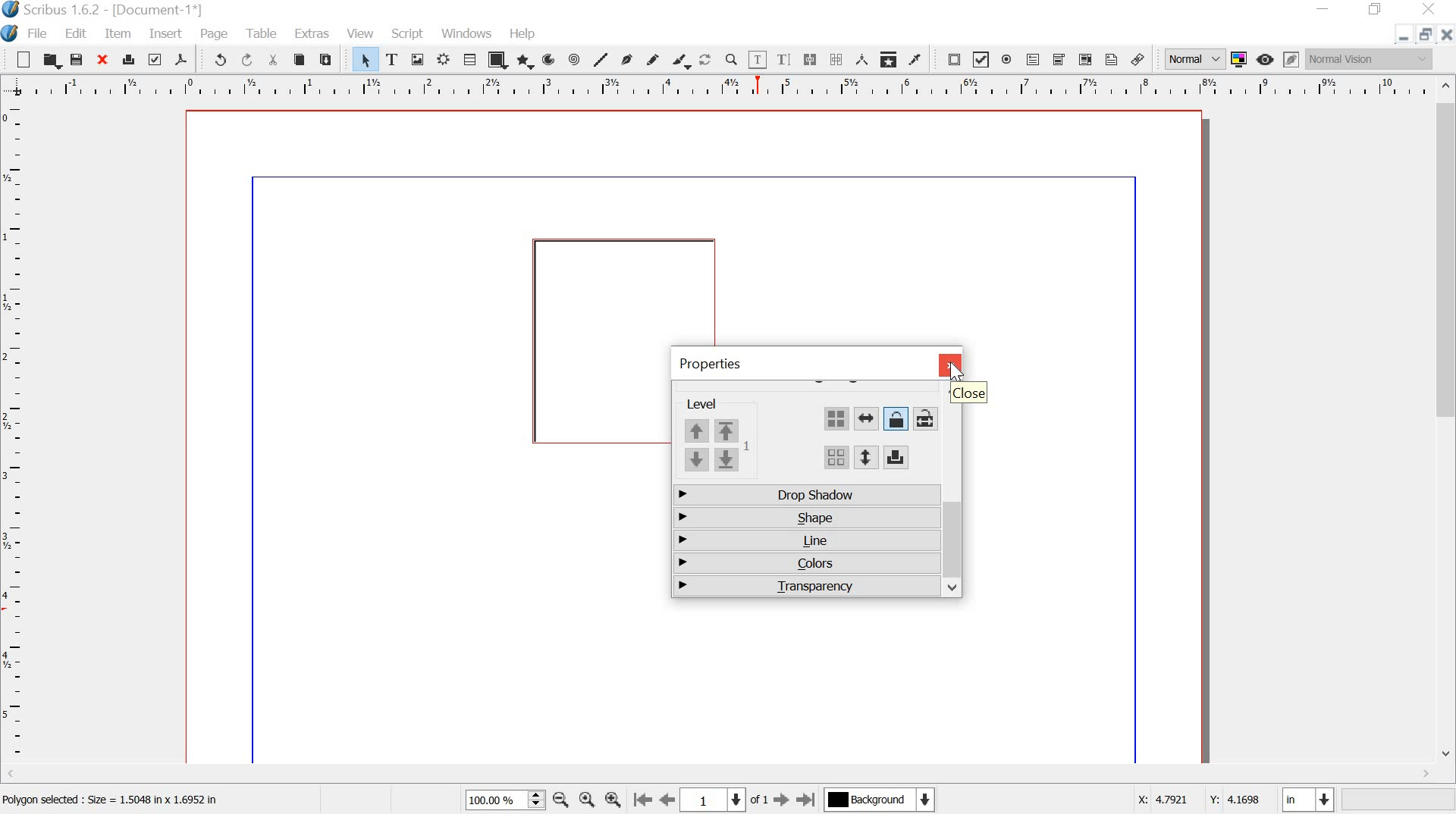 This screenshot has width=1456, height=814. I want to click on item, so click(120, 34).